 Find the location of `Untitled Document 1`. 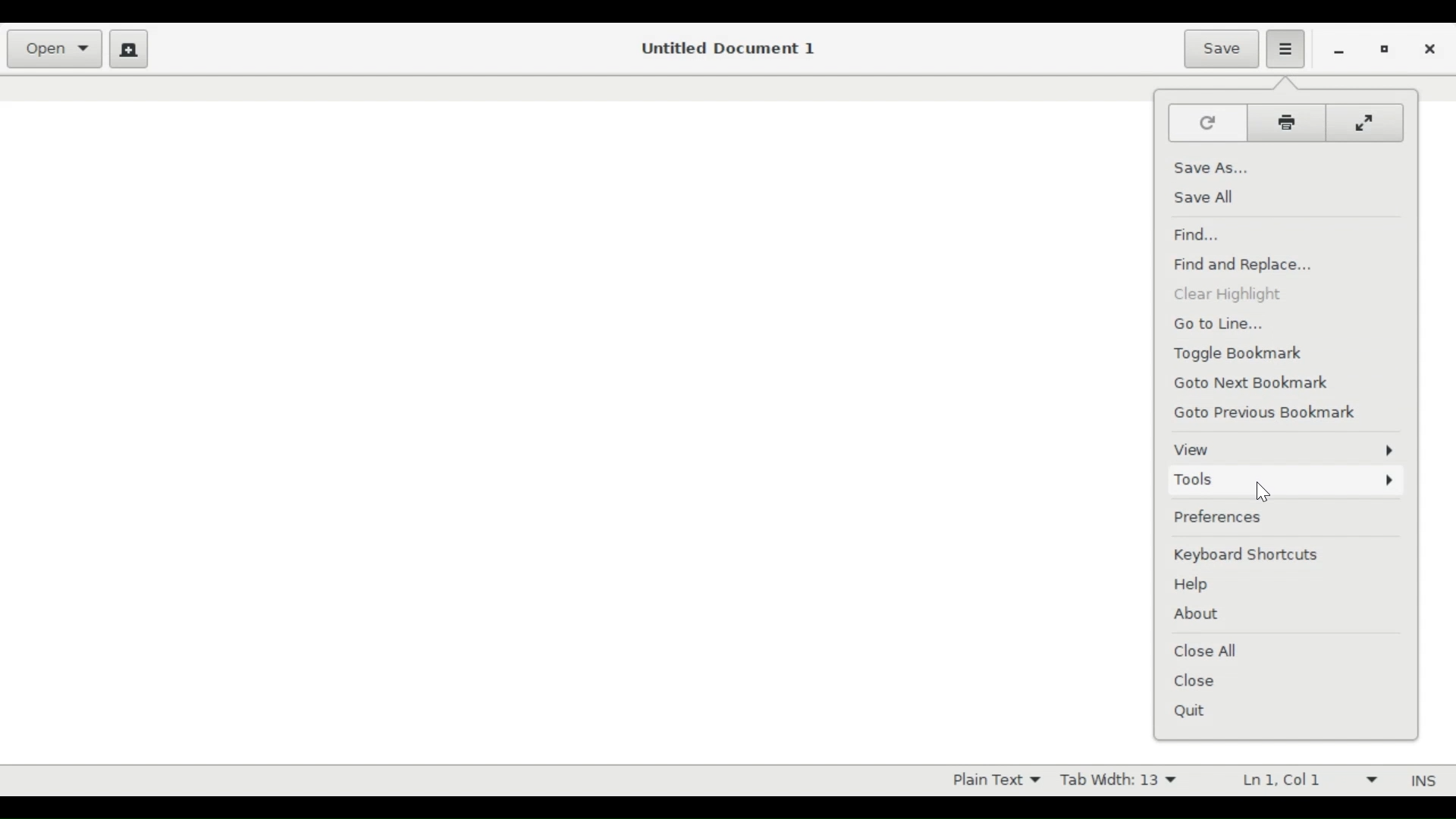

Untitled Document 1 is located at coordinates (731, 49).